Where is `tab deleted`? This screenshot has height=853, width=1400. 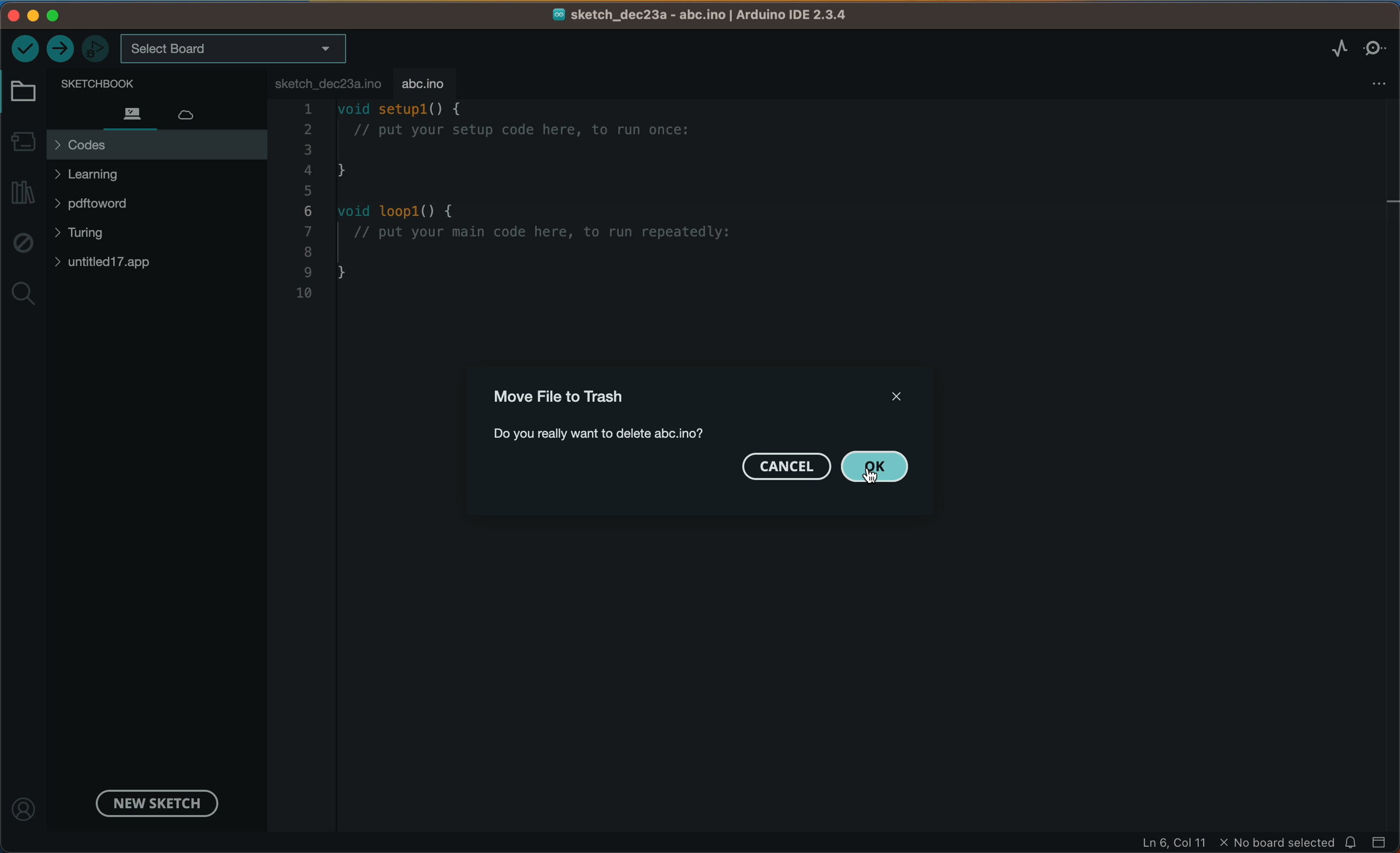
tab deleted is located at coordinates (437, 85).